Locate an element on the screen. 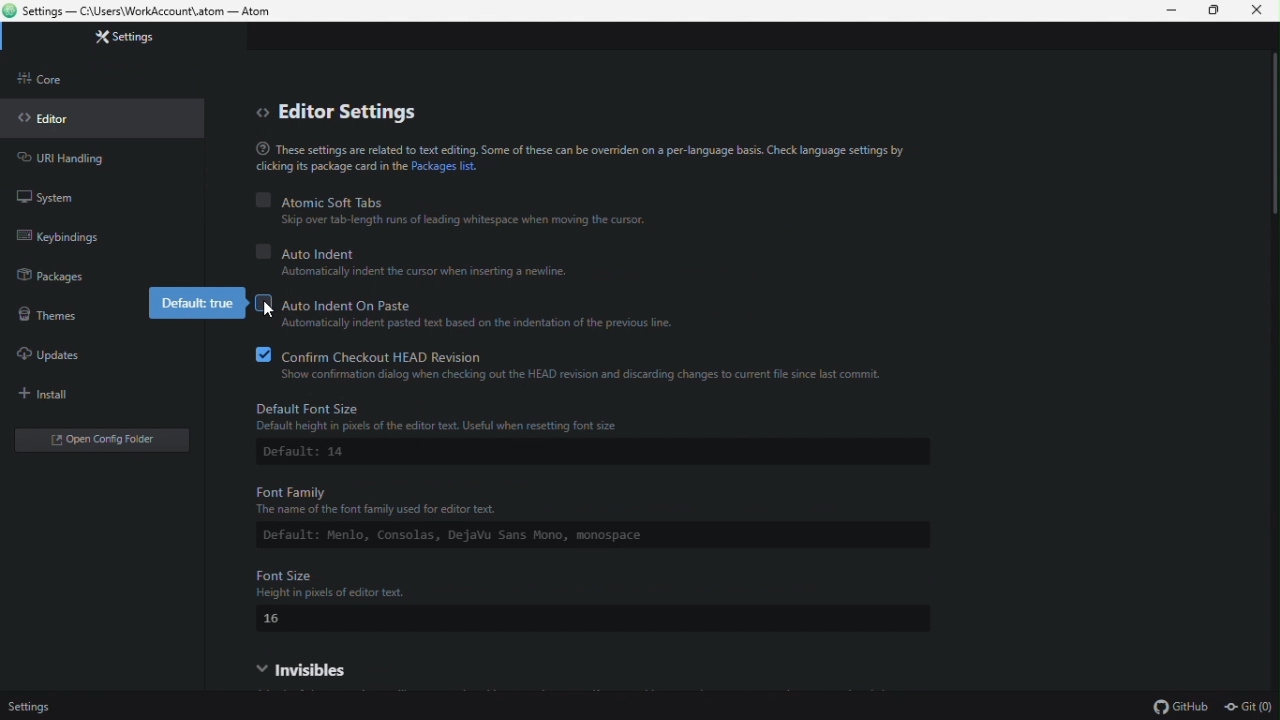  Default Font Size
Defauit height in pixels of the editor text. Useful when resetting font size is located at coordinates (586, 415).